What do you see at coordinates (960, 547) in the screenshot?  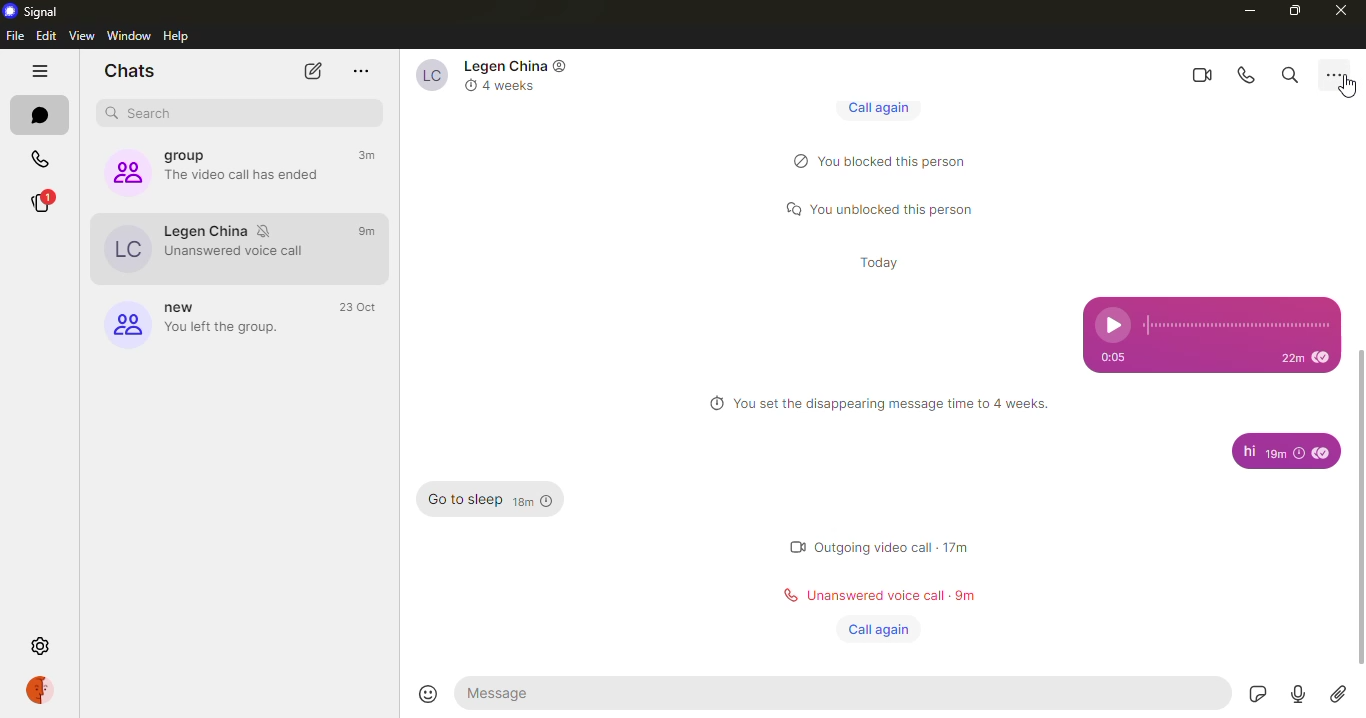 I see `time` at bounding box center [960, 547].